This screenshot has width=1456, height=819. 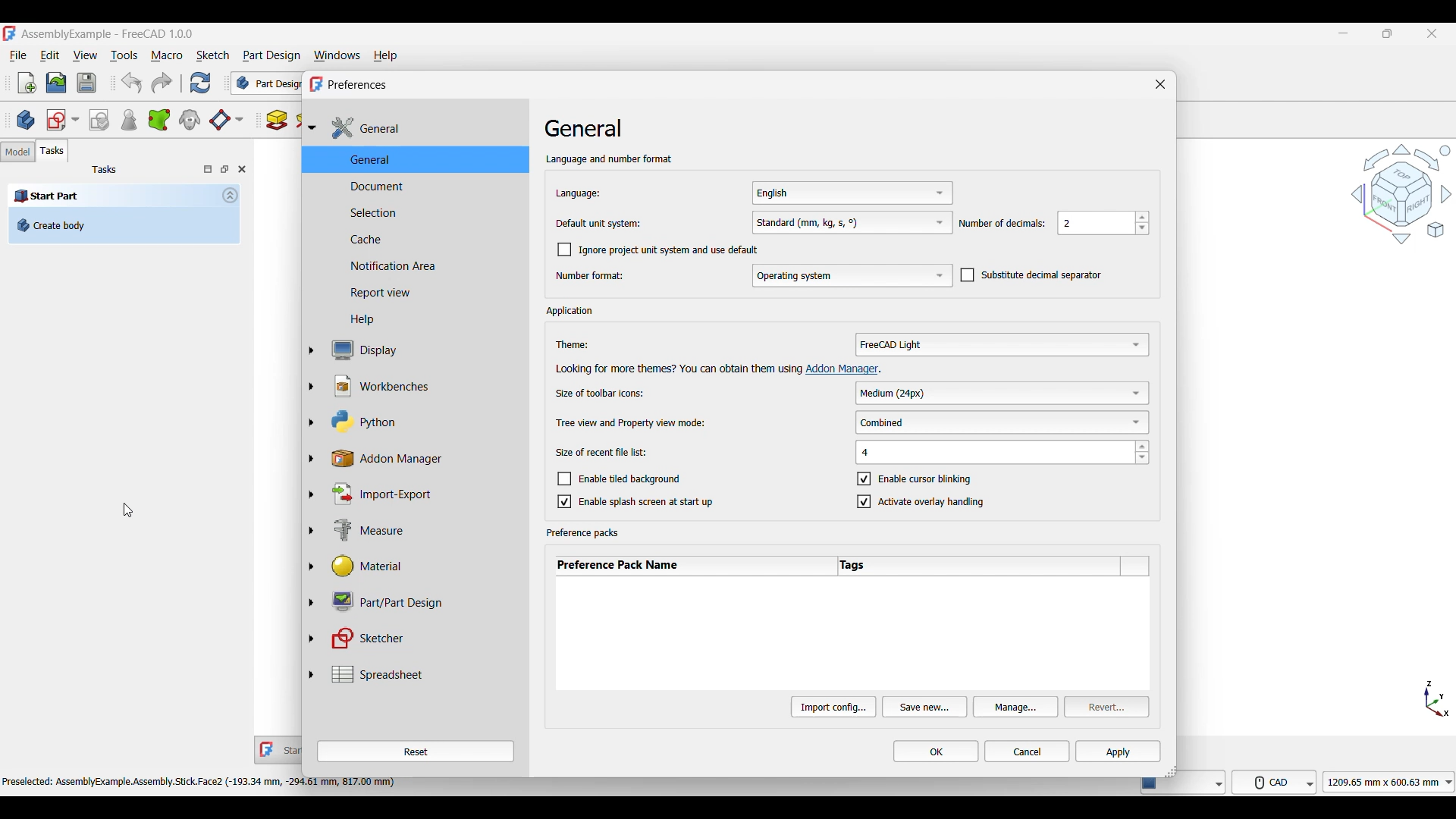 What do you see at coordinates (99, 120) in the screenshot?
I see `Validate sketch` at bounding box center [99, 120].